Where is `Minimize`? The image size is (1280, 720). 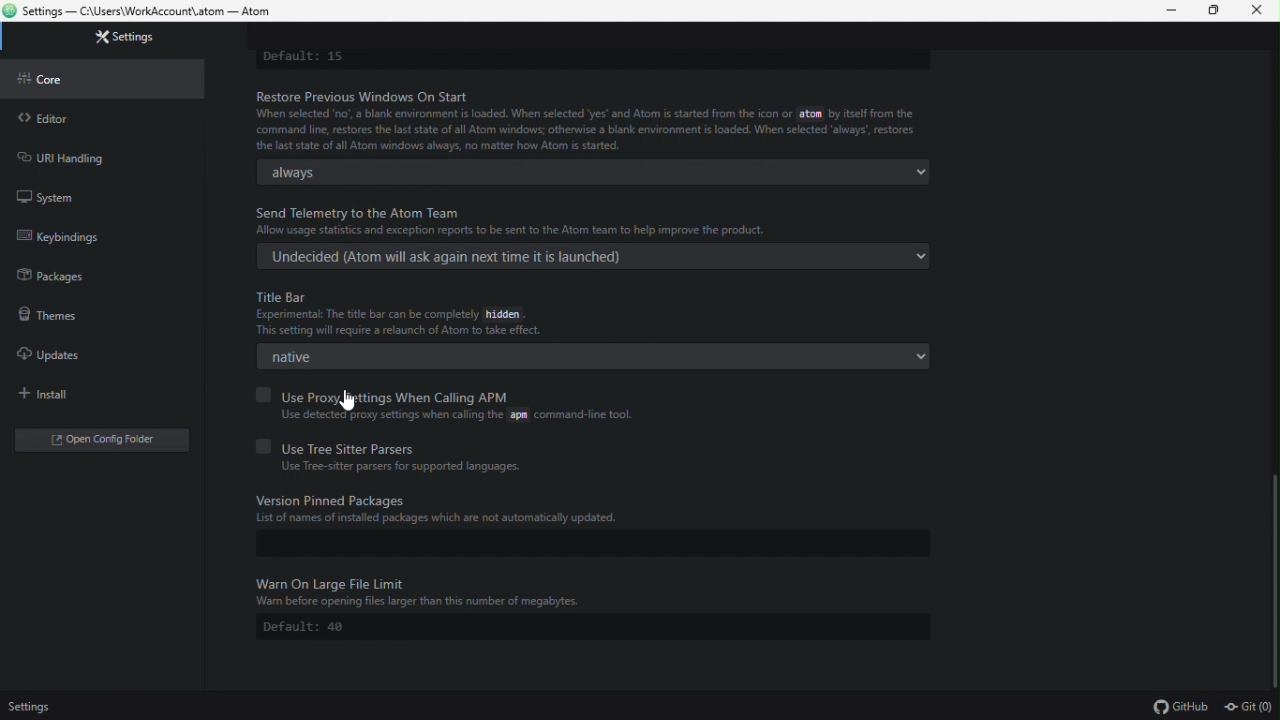
Minimize is located at coordinates (1173, 11).